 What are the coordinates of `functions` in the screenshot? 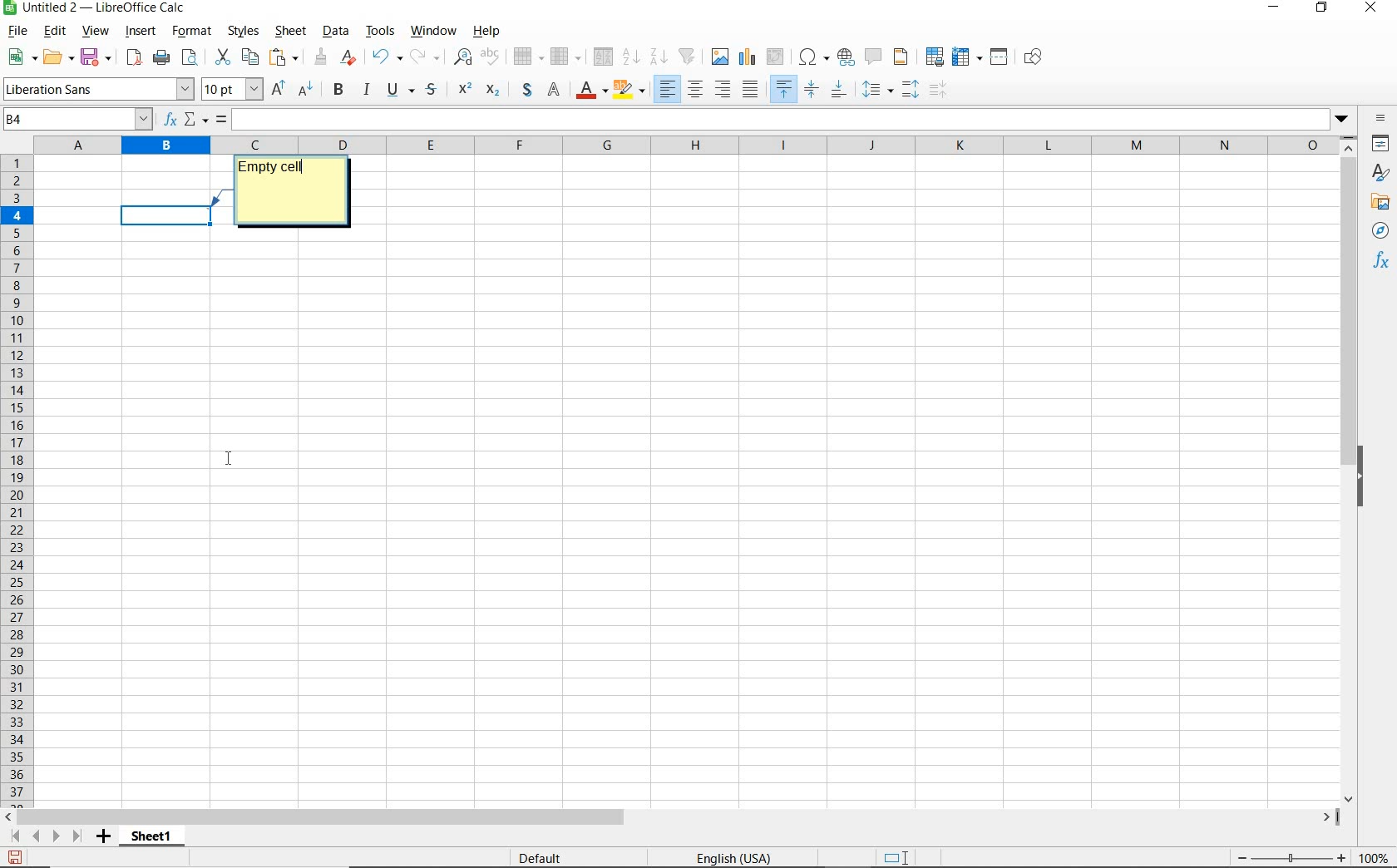 It's located at (1383, 259).